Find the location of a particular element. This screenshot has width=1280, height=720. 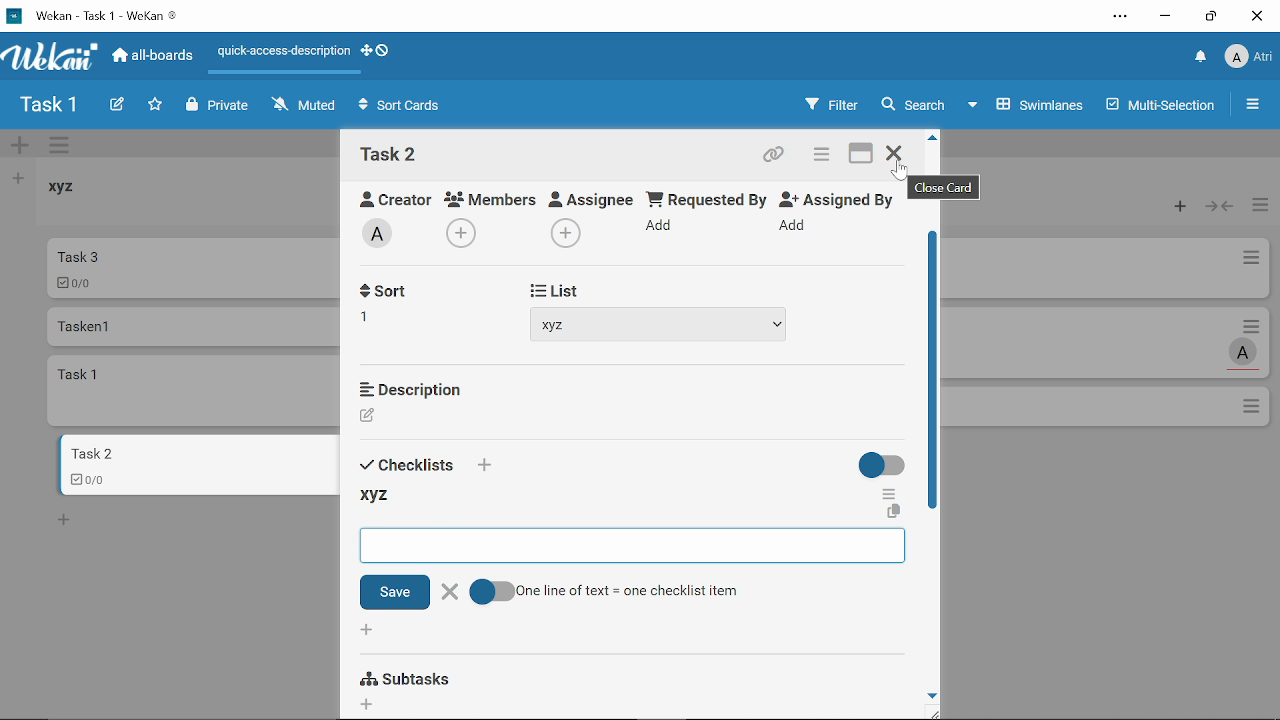

Show desktop drag handles is located at coordinates (365, 51).